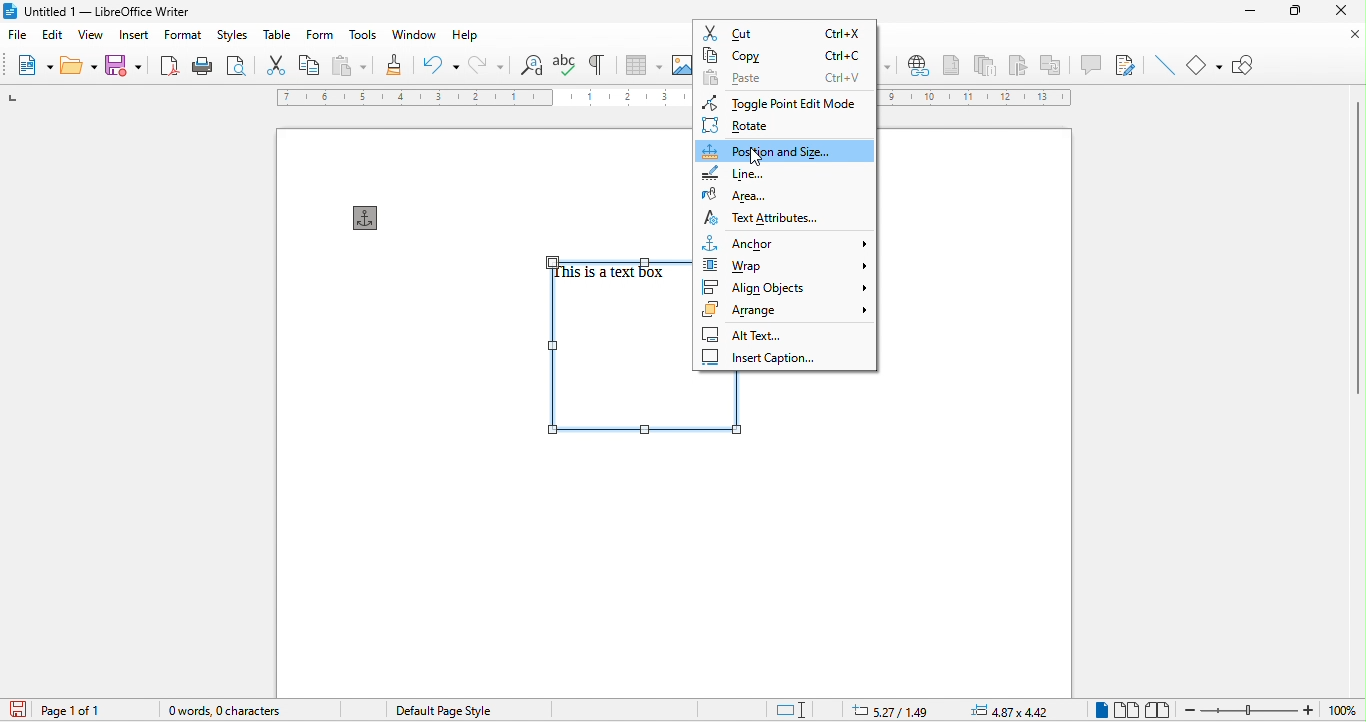  What do you see at coordinates (82, 710) in the screenshot?
I see `page 1 of 1` at bounding box center [82, 710].